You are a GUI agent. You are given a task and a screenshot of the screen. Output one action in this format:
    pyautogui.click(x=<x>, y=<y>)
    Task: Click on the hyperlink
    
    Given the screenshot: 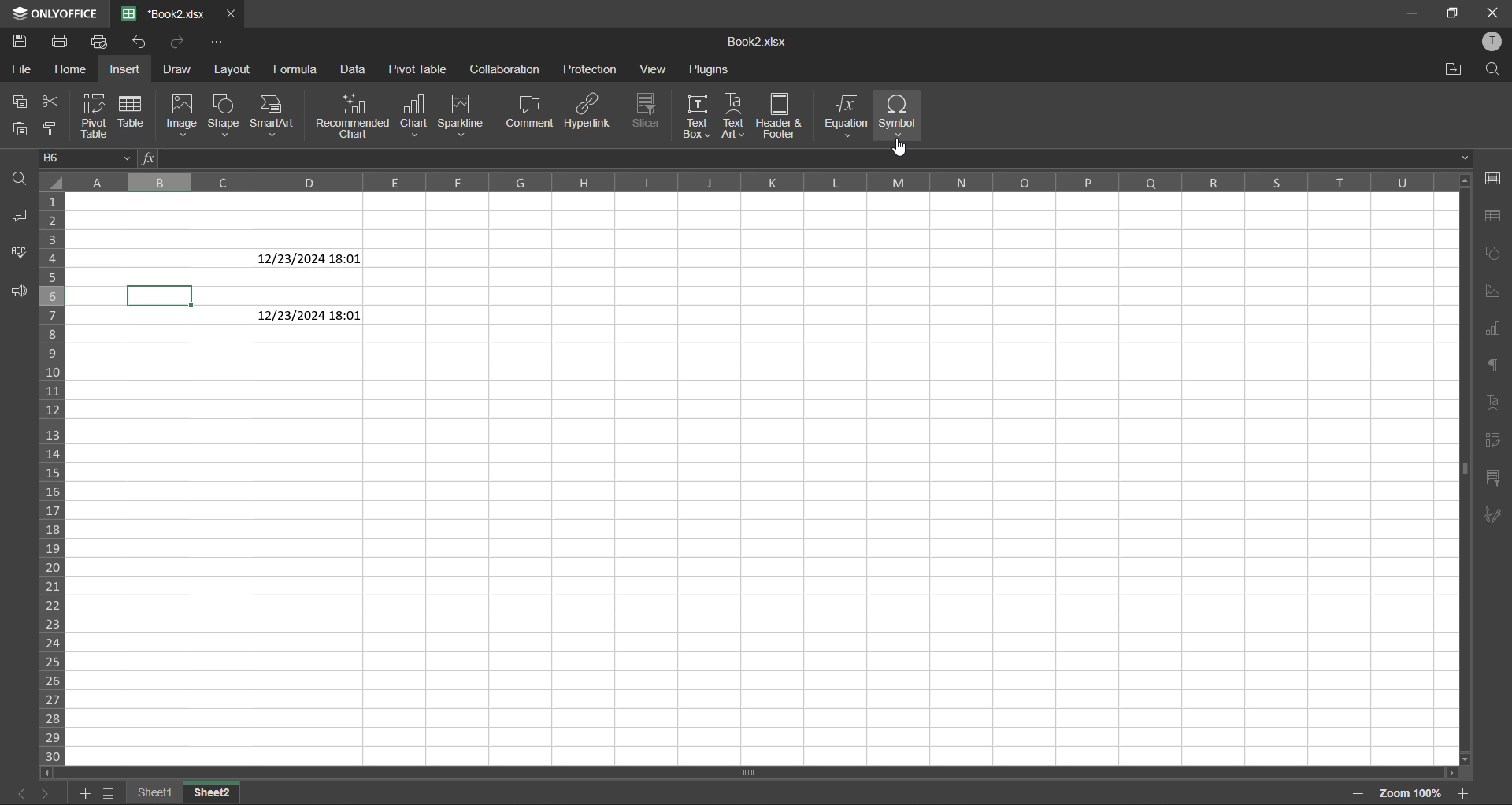 What is the action you would take?
    pyautogui.click(x=594, y=110)
    